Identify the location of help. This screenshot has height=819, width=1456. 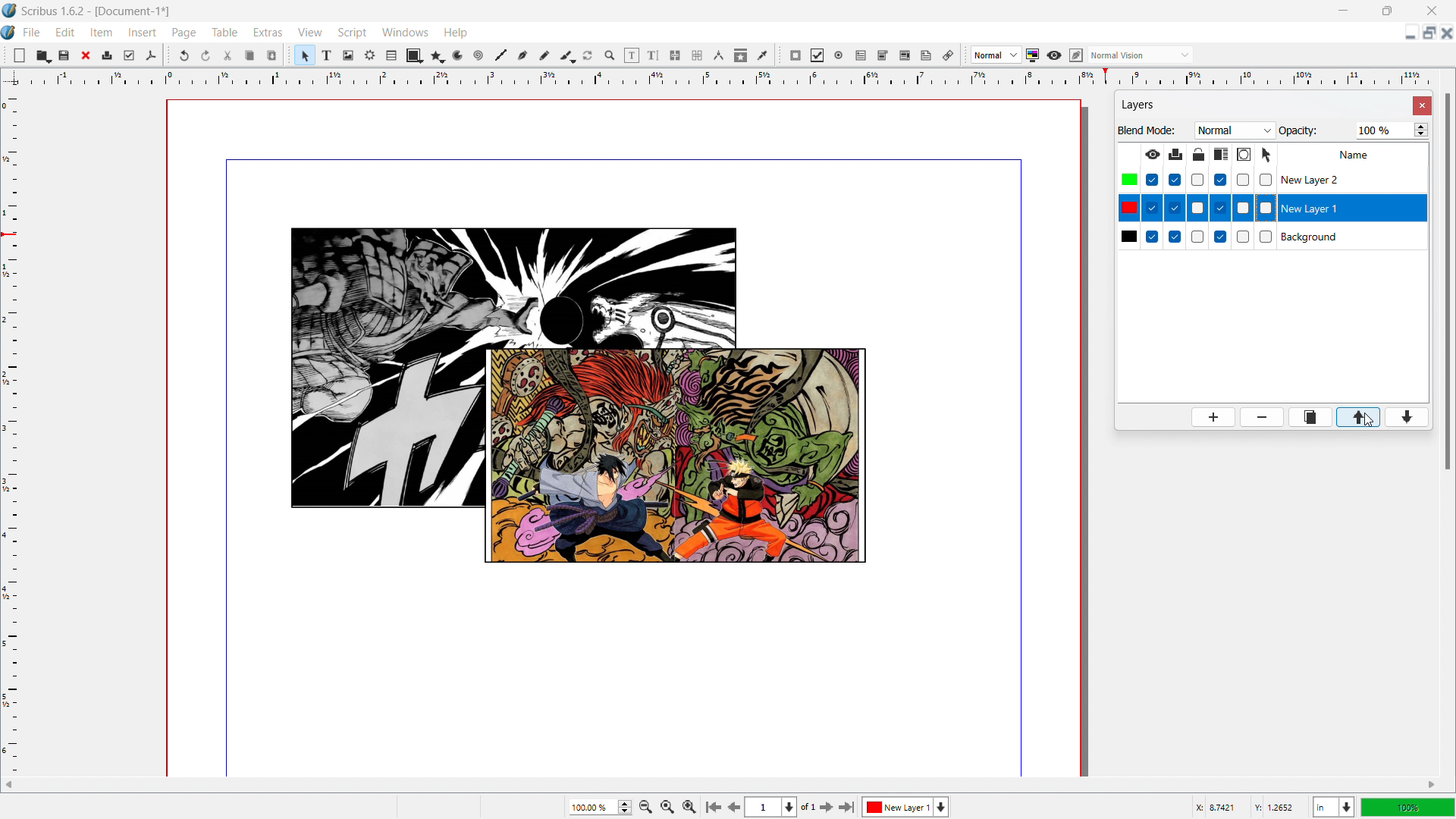
(455, 33).